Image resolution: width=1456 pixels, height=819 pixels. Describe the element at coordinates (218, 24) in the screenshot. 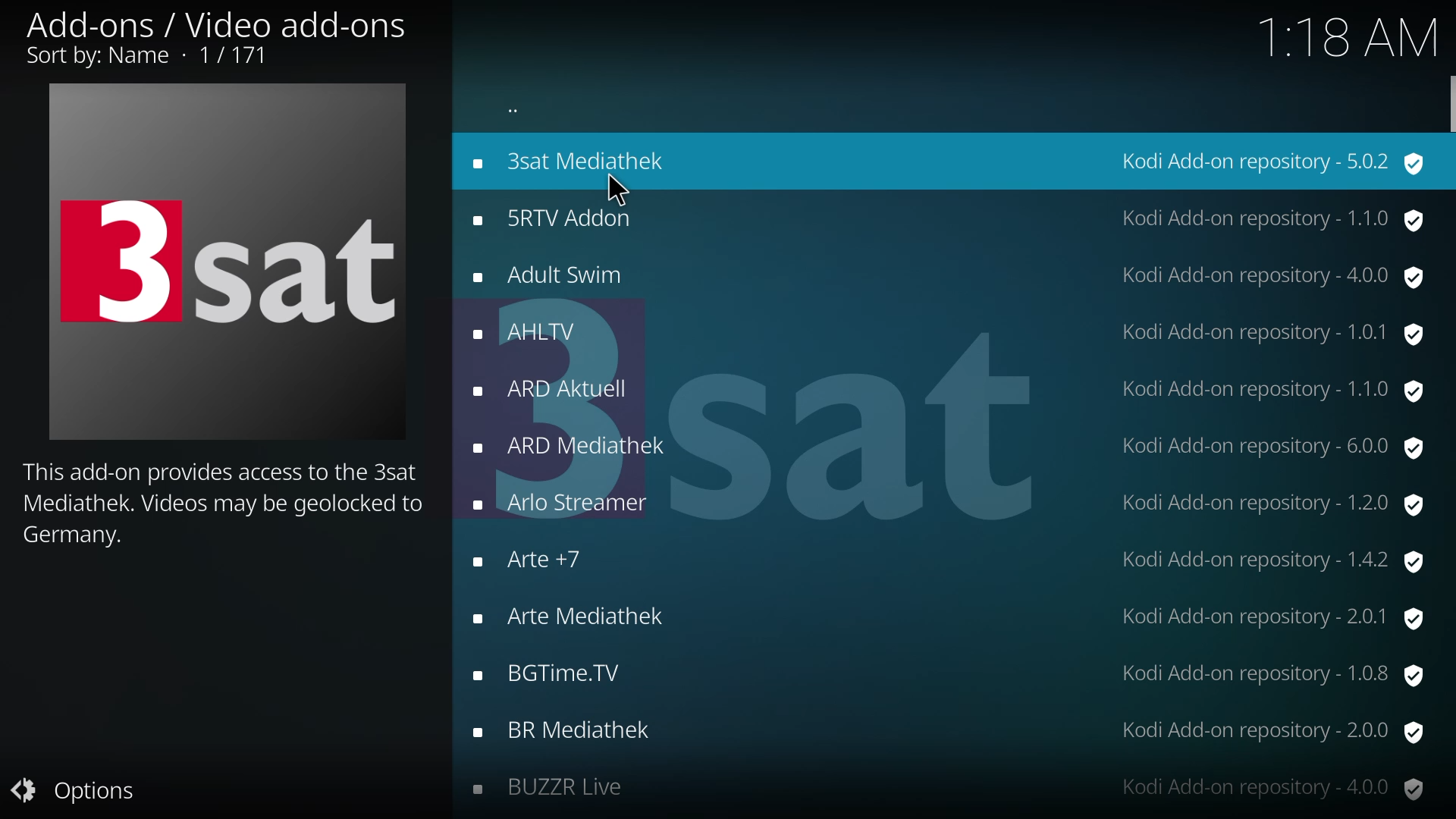

I see `add on` at that location.